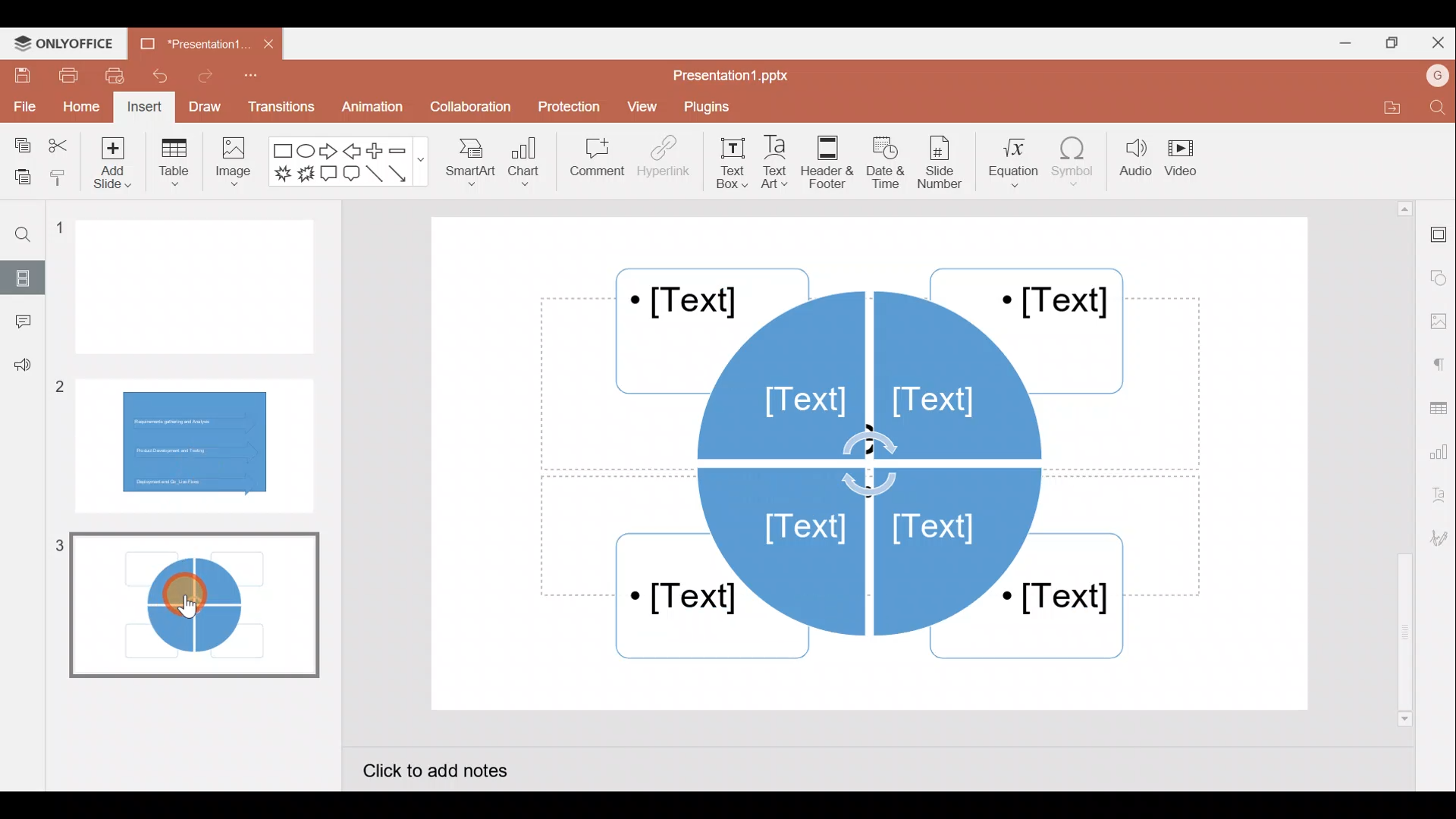  I want to click on Left arrow, so click(351, 152).